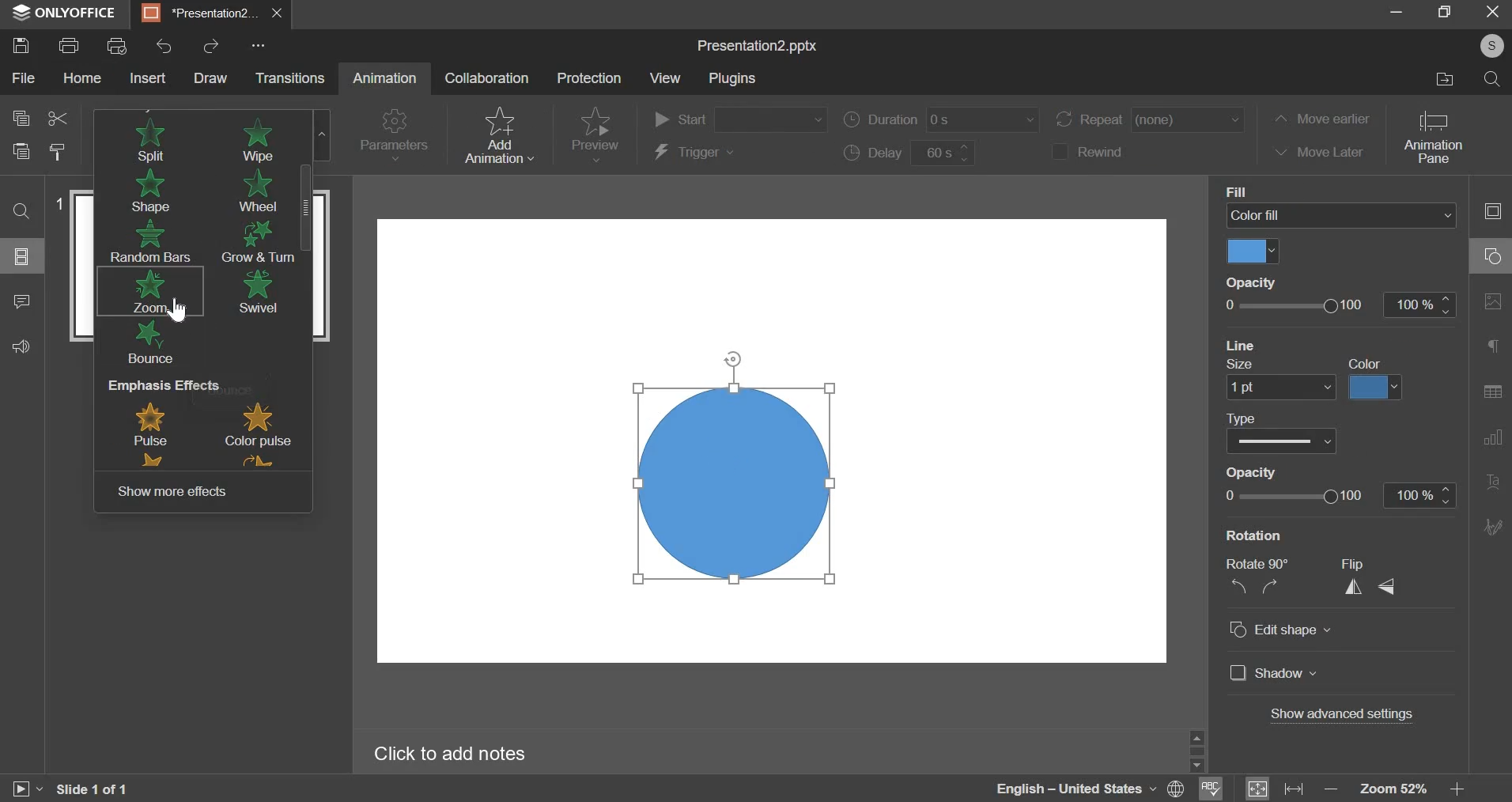  Describe the element at coordinates (1324, 118) in the screenshot. I see `move earlier` at that location.